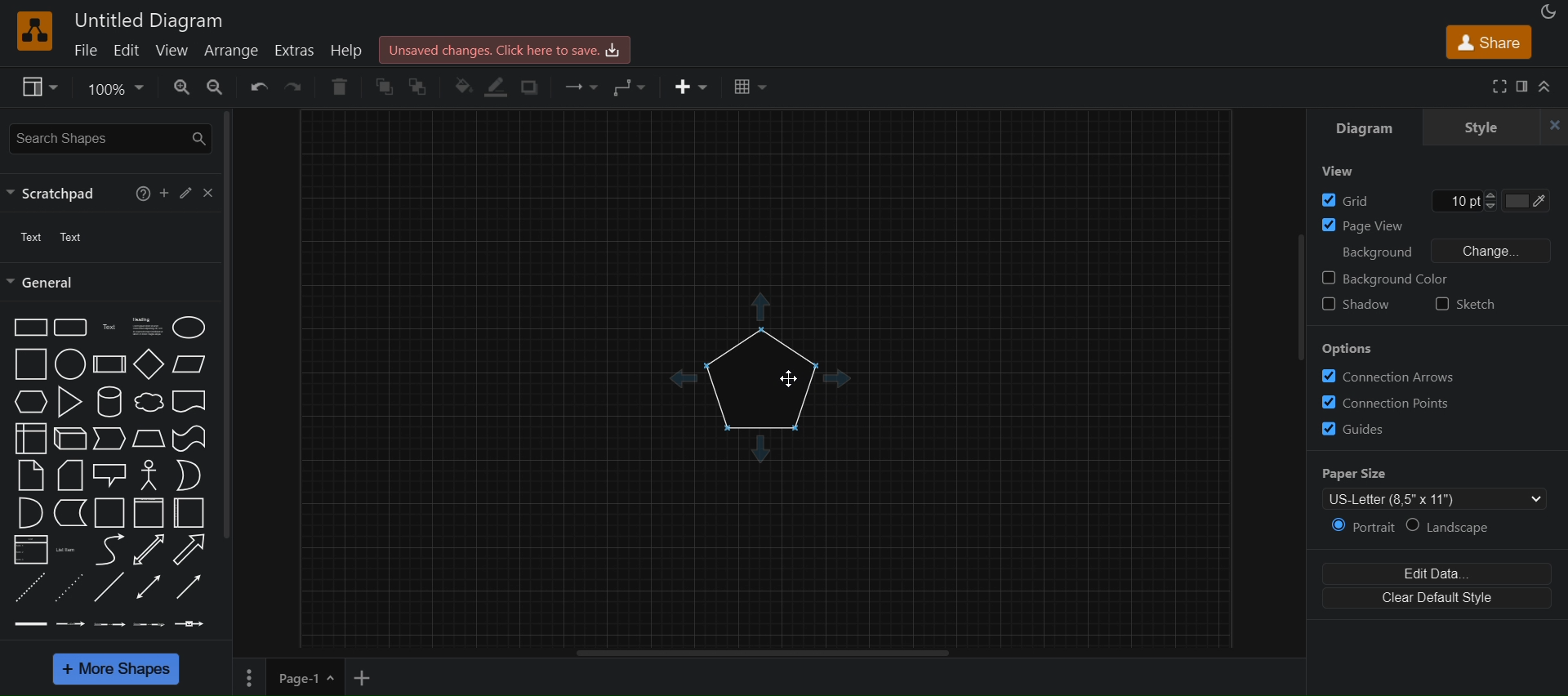 This screenshot has height=696, width=1568. What do you see at coordinates (233, 51) in the screenshot?
I see `arrange` at bounding box center [233, 51].